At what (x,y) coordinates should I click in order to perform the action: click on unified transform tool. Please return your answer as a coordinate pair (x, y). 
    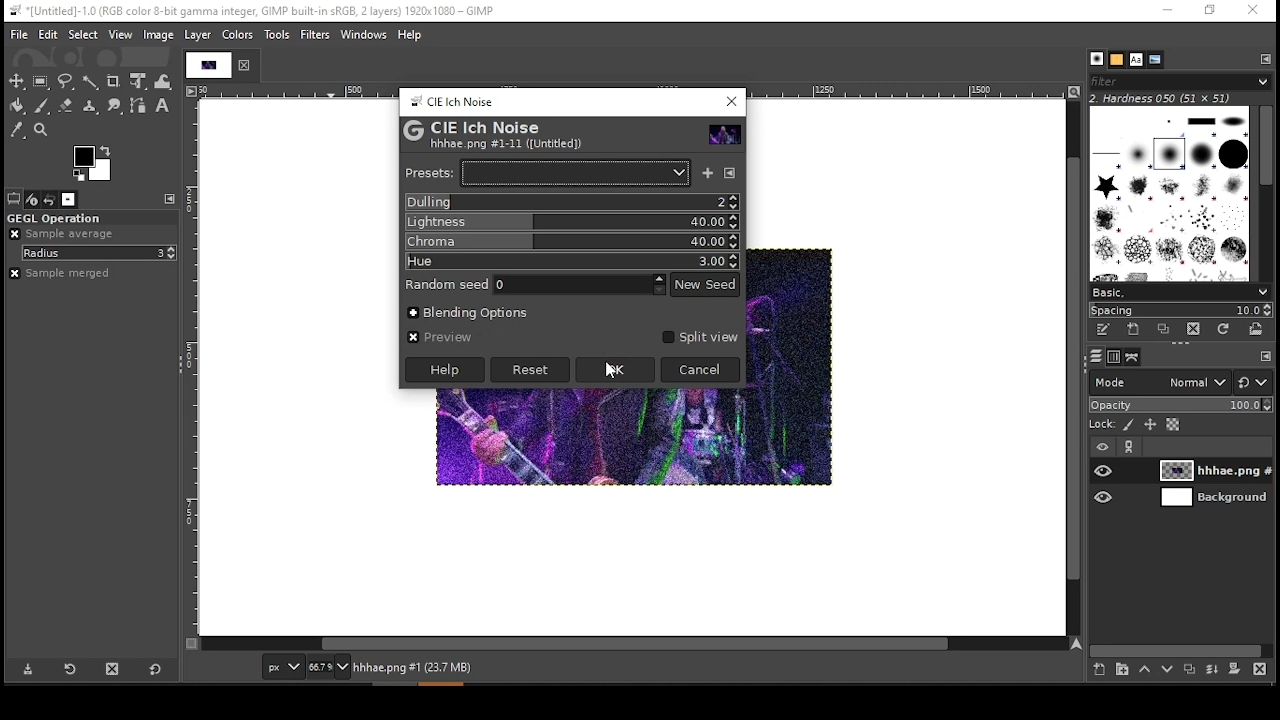
    Looking at the image, I should click on (138, 81).